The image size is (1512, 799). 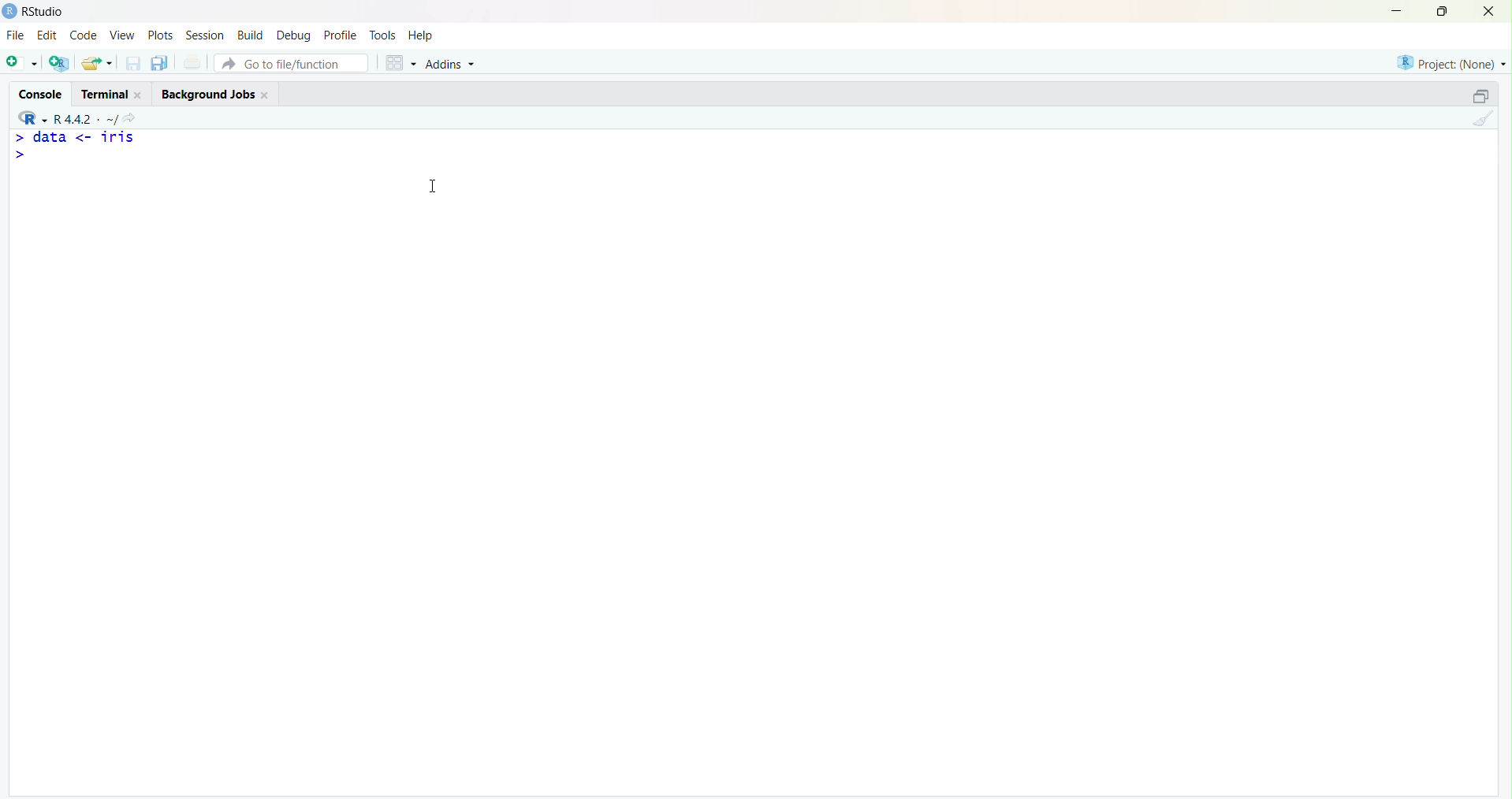 What do you see at coordinates (290, 61) in the screenshot?
I see `Go to file/function` at bounding box center [290, 61].